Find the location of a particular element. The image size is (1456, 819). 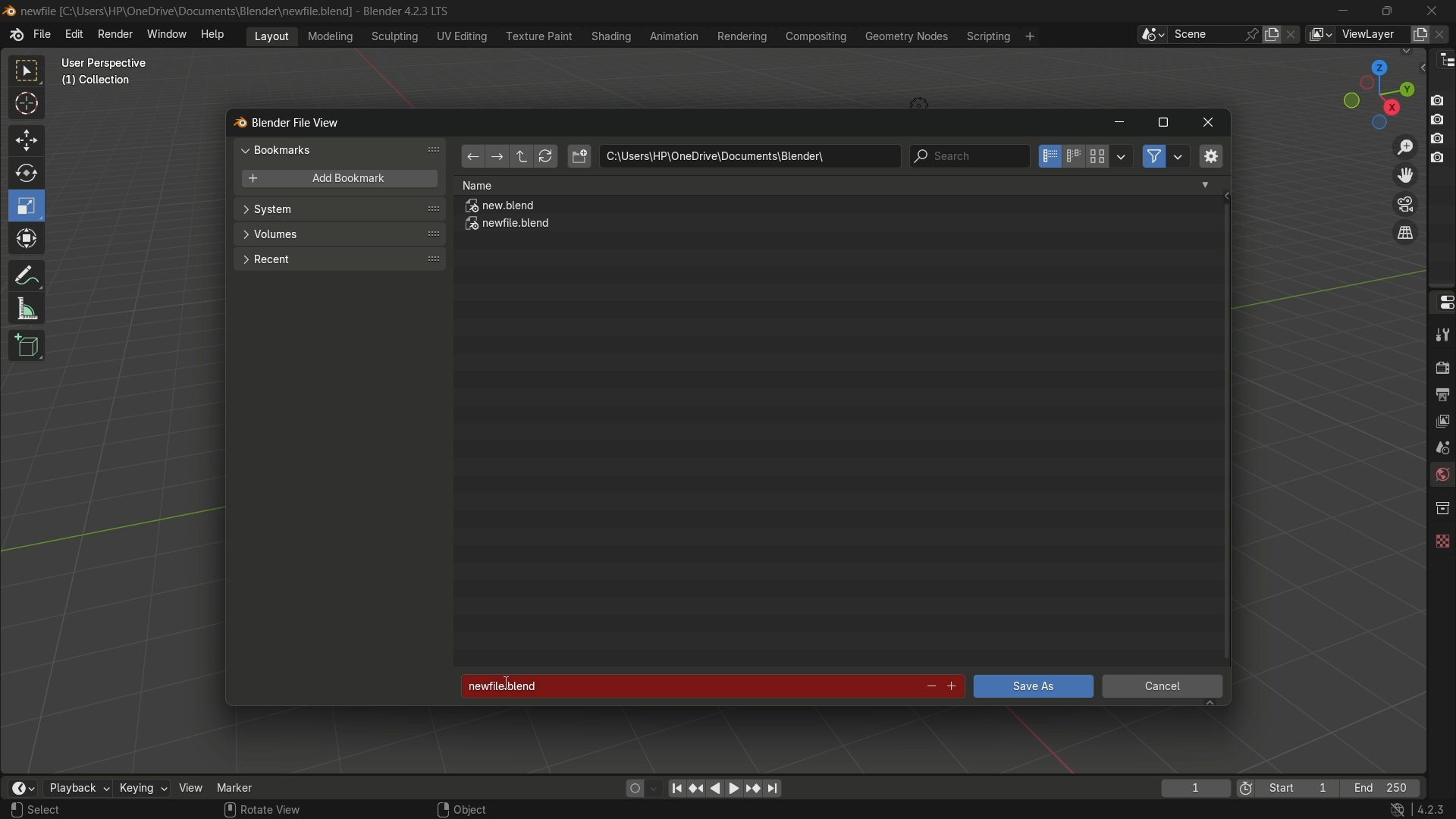

new.blend file is located at coordinates (501, 208).